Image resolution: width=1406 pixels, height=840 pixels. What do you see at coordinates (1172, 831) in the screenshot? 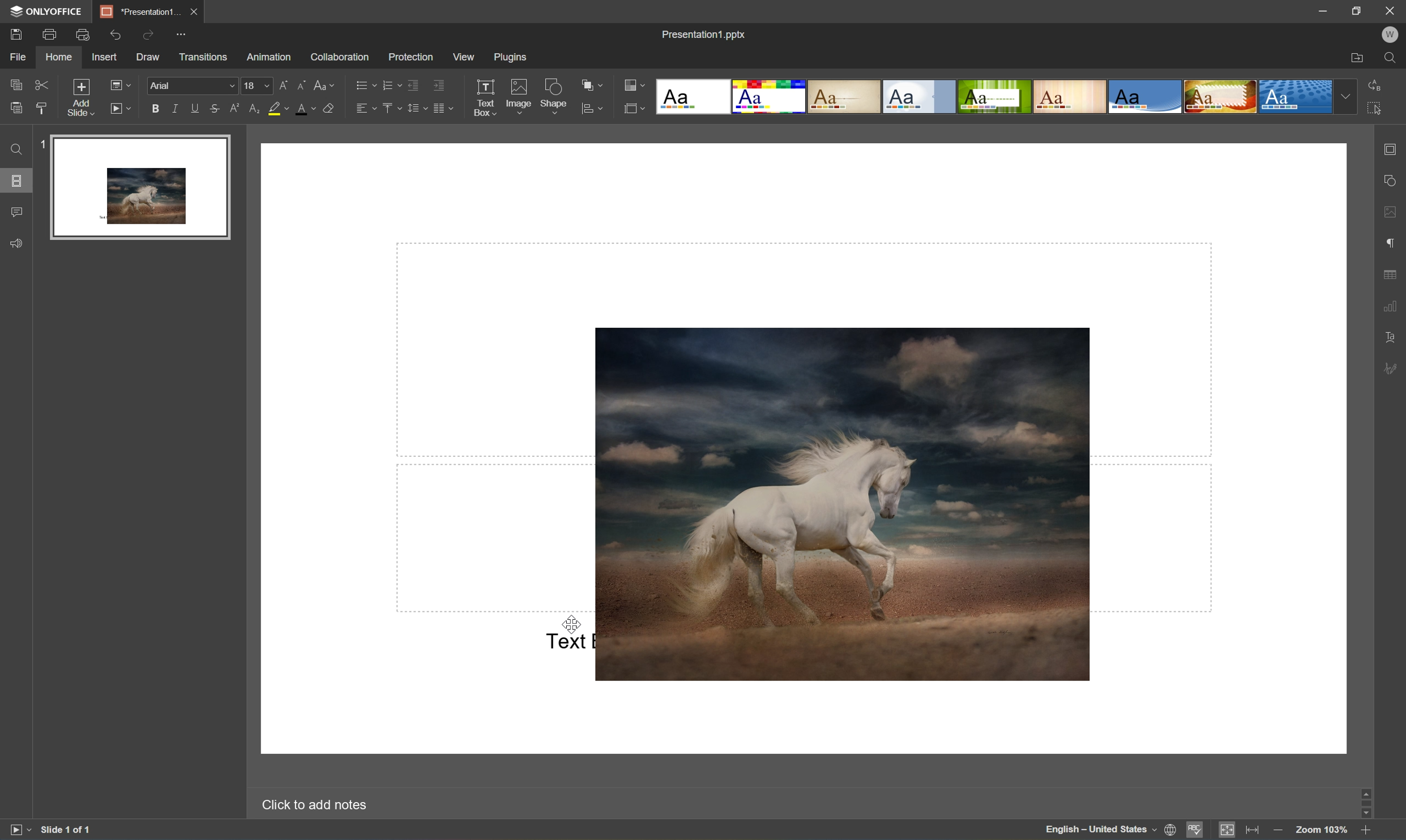
I see `Set document language` at bounding box center [1172, 831].